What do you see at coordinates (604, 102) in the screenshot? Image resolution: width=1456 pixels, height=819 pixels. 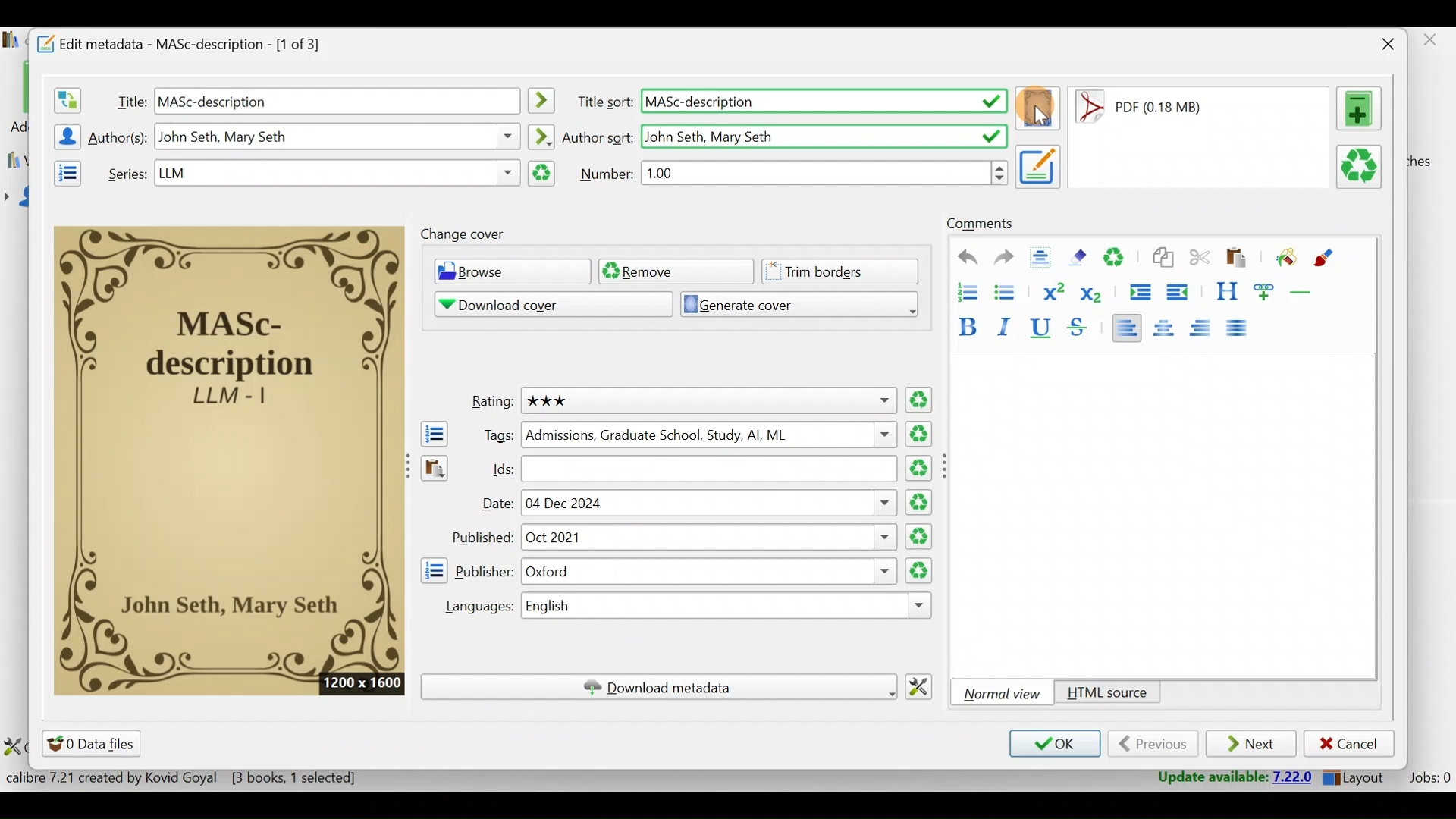 I see `Title sort` at bounding box center [604, 102].